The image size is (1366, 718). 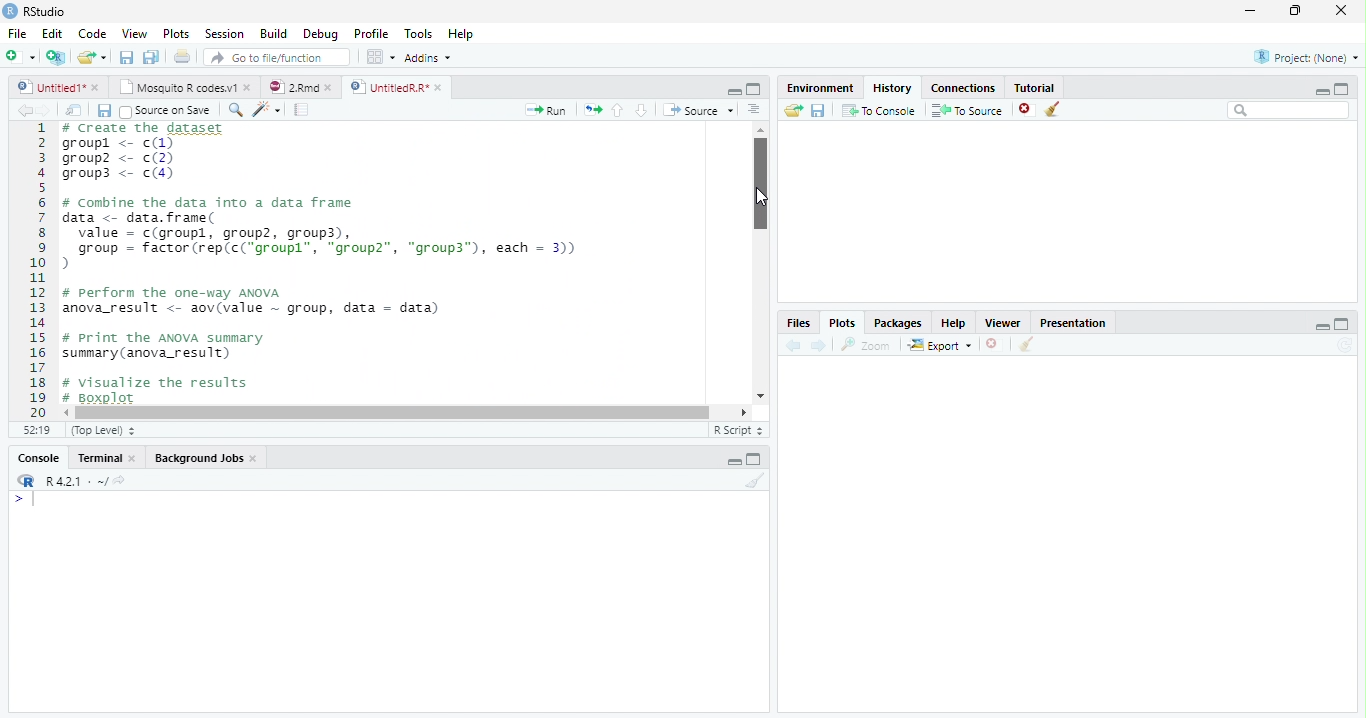 I want to click on Clear objects from the workspace, so click(x=1051, y=106).